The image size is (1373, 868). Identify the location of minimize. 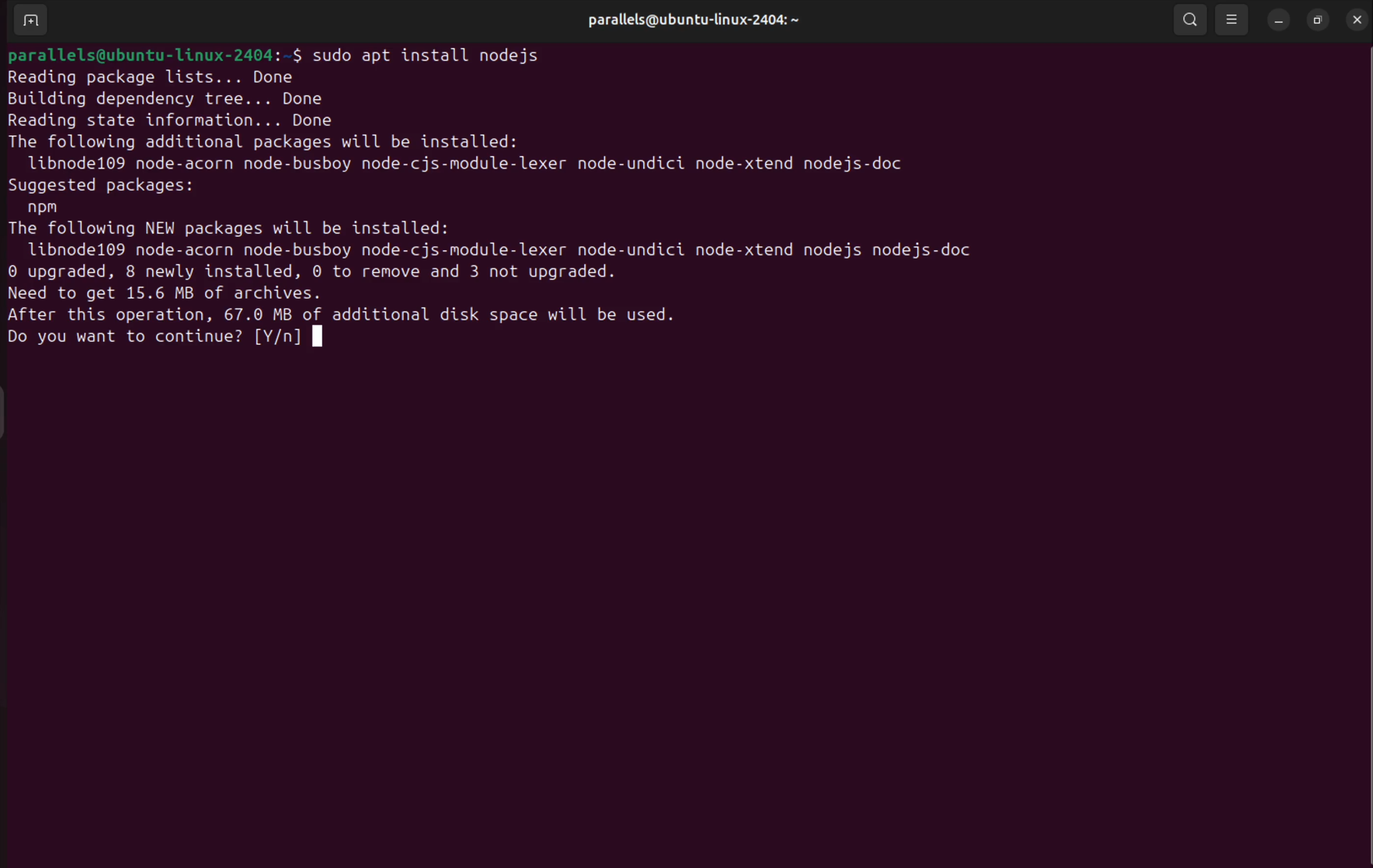
(1278, 22).